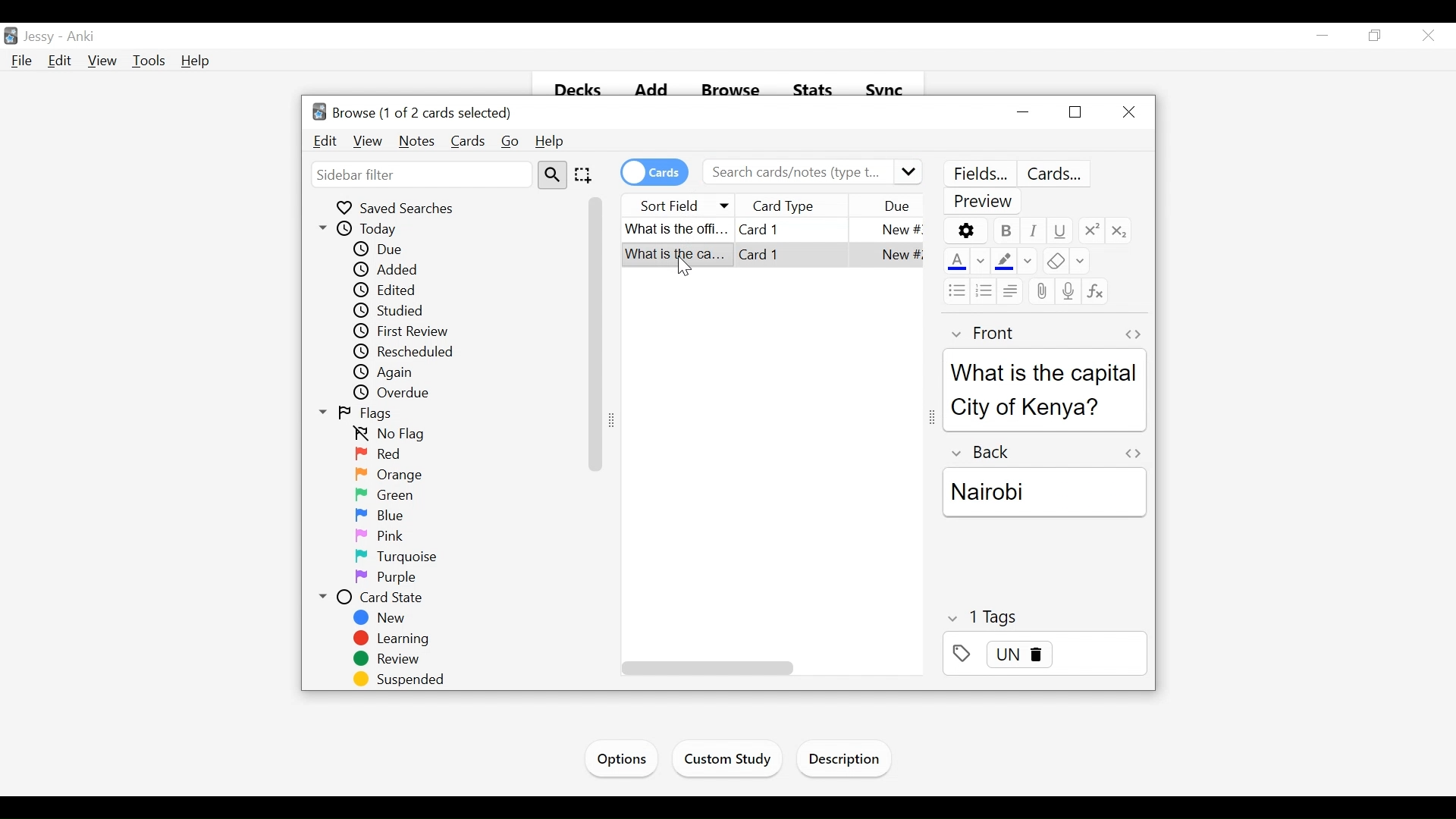  Describe the element at coordinates (383, 494) in the screenshot. I see `Green` at that location.